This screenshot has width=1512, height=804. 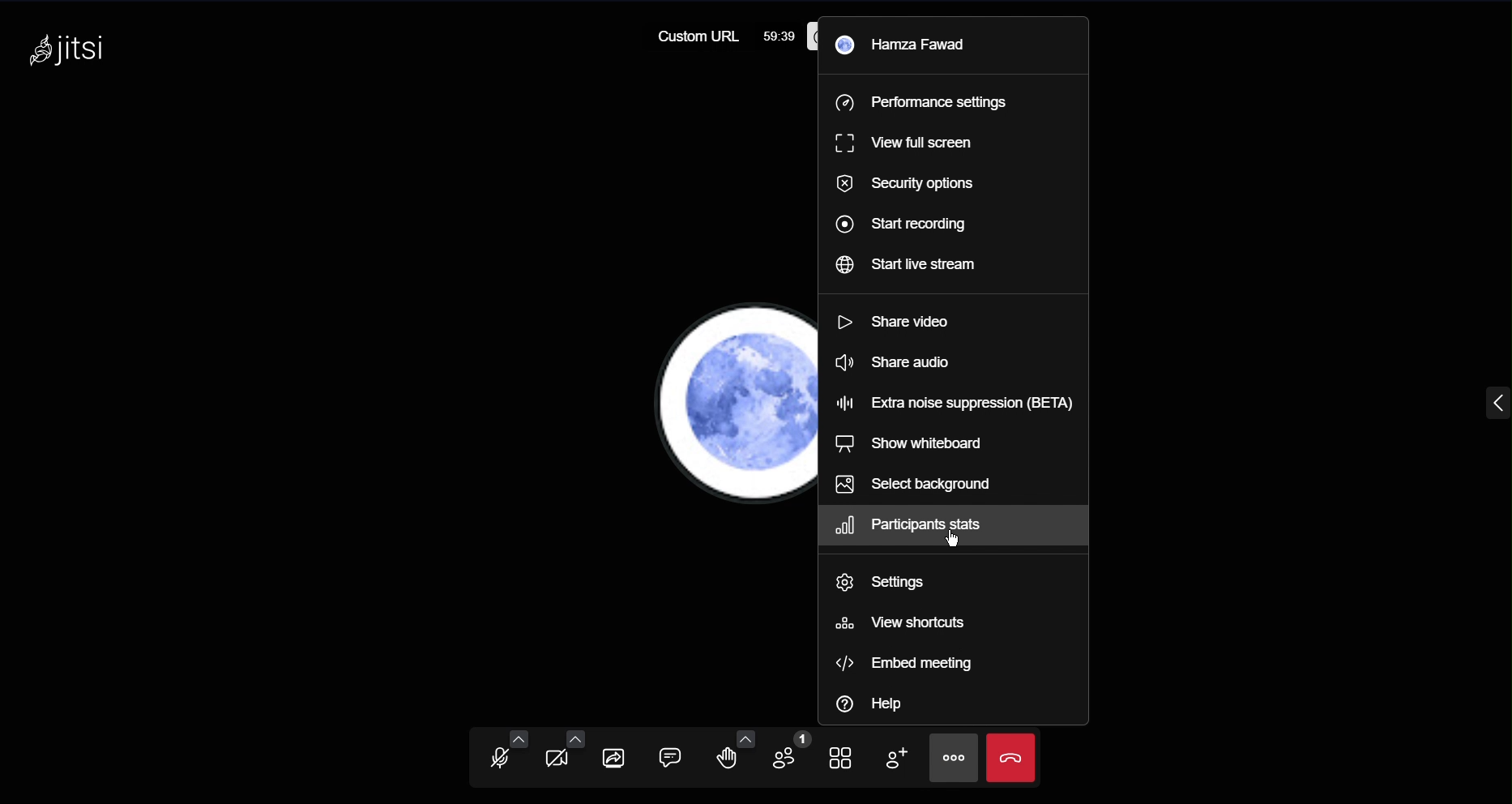 I want to click on menu, so click(x=1489, y=398).